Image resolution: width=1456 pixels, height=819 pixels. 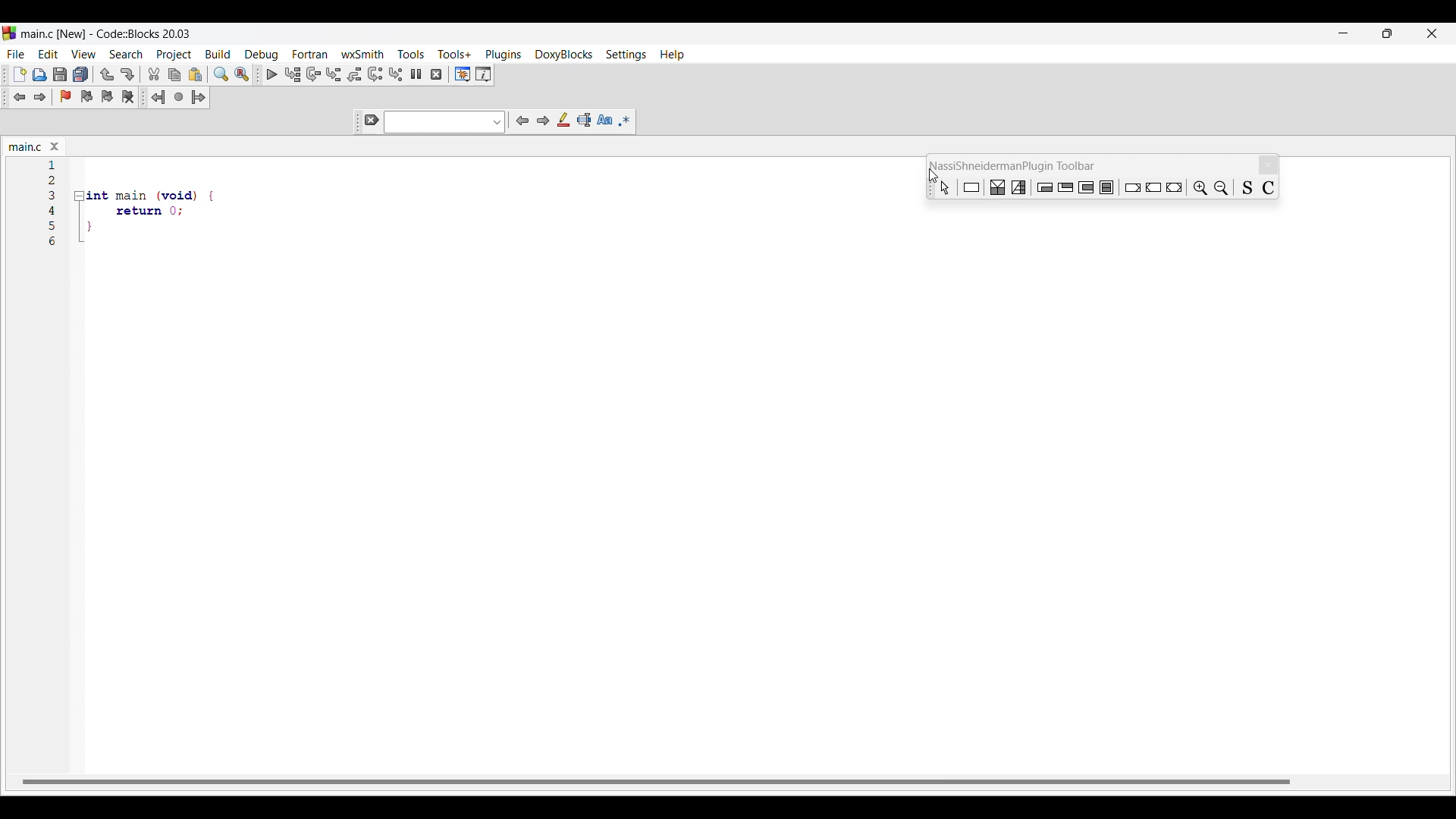 What do you see at coordinates (375, 74) in the screenshot?
I see `Next instruction` at bounding box center [375, 74].